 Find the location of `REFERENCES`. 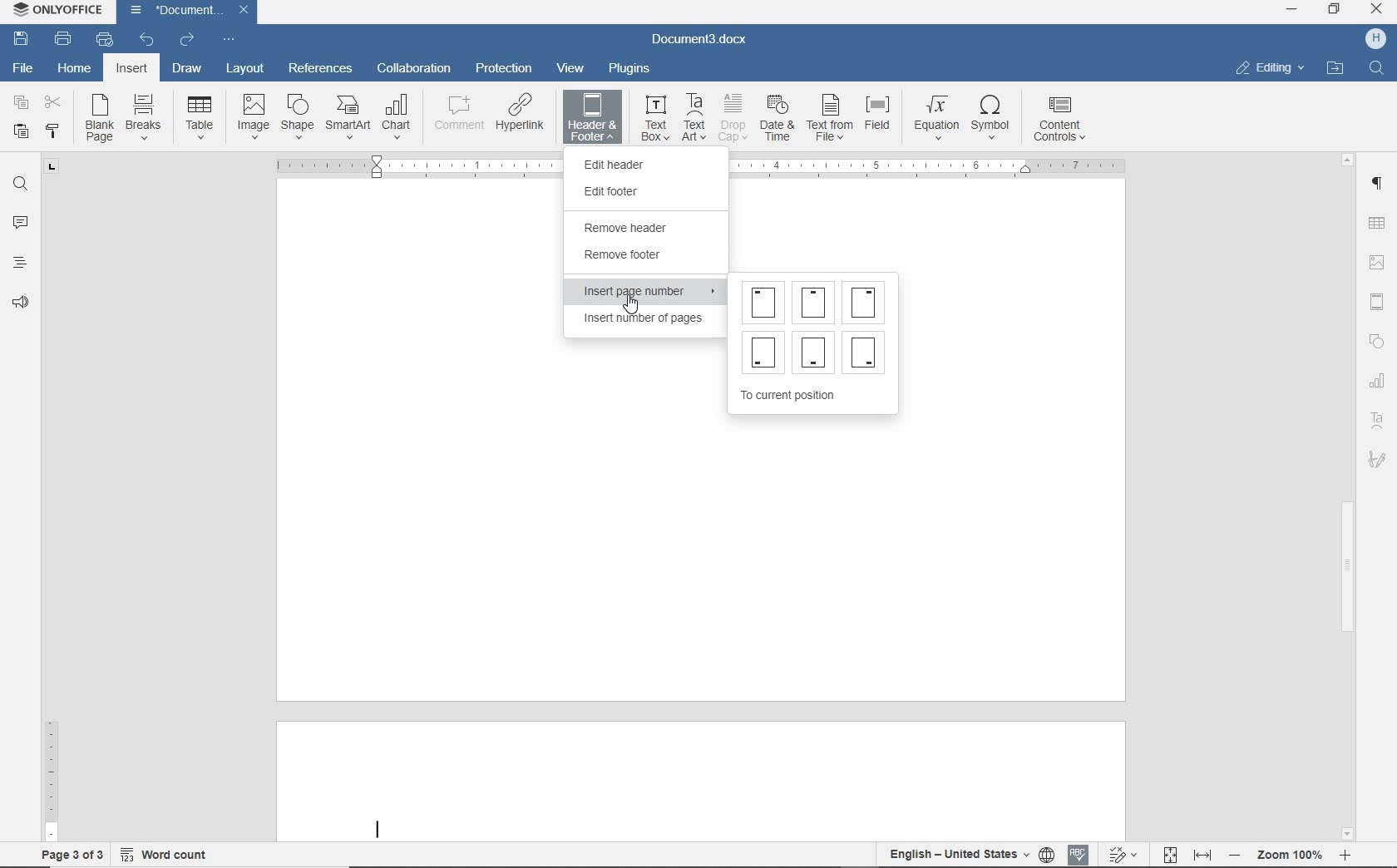

REFERENCES is located at coordinates (320, 69).